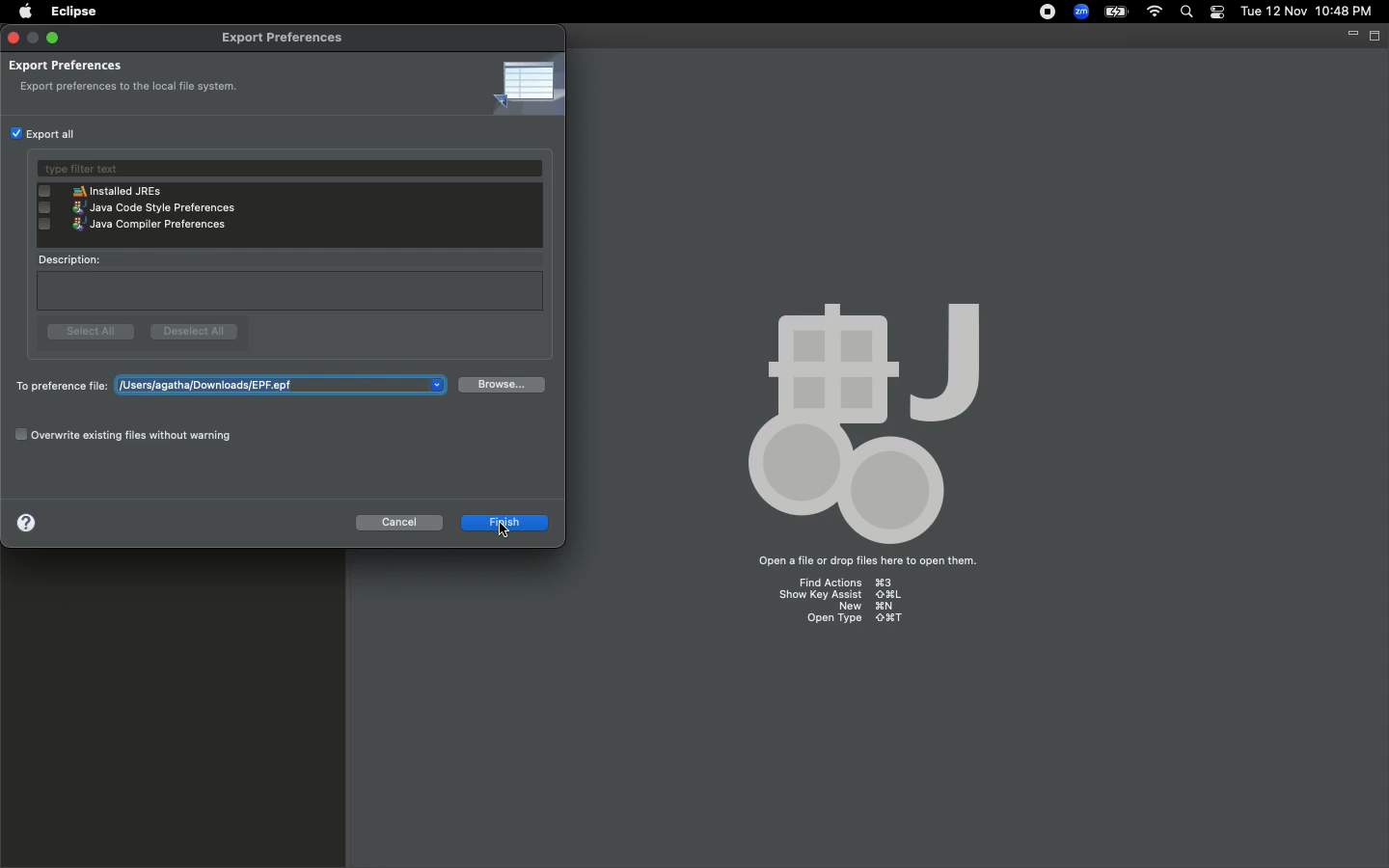  What do you see at coordinates (25, 14) in the screenshot?
I see `Apple logo` at bounding box center [25, 14].